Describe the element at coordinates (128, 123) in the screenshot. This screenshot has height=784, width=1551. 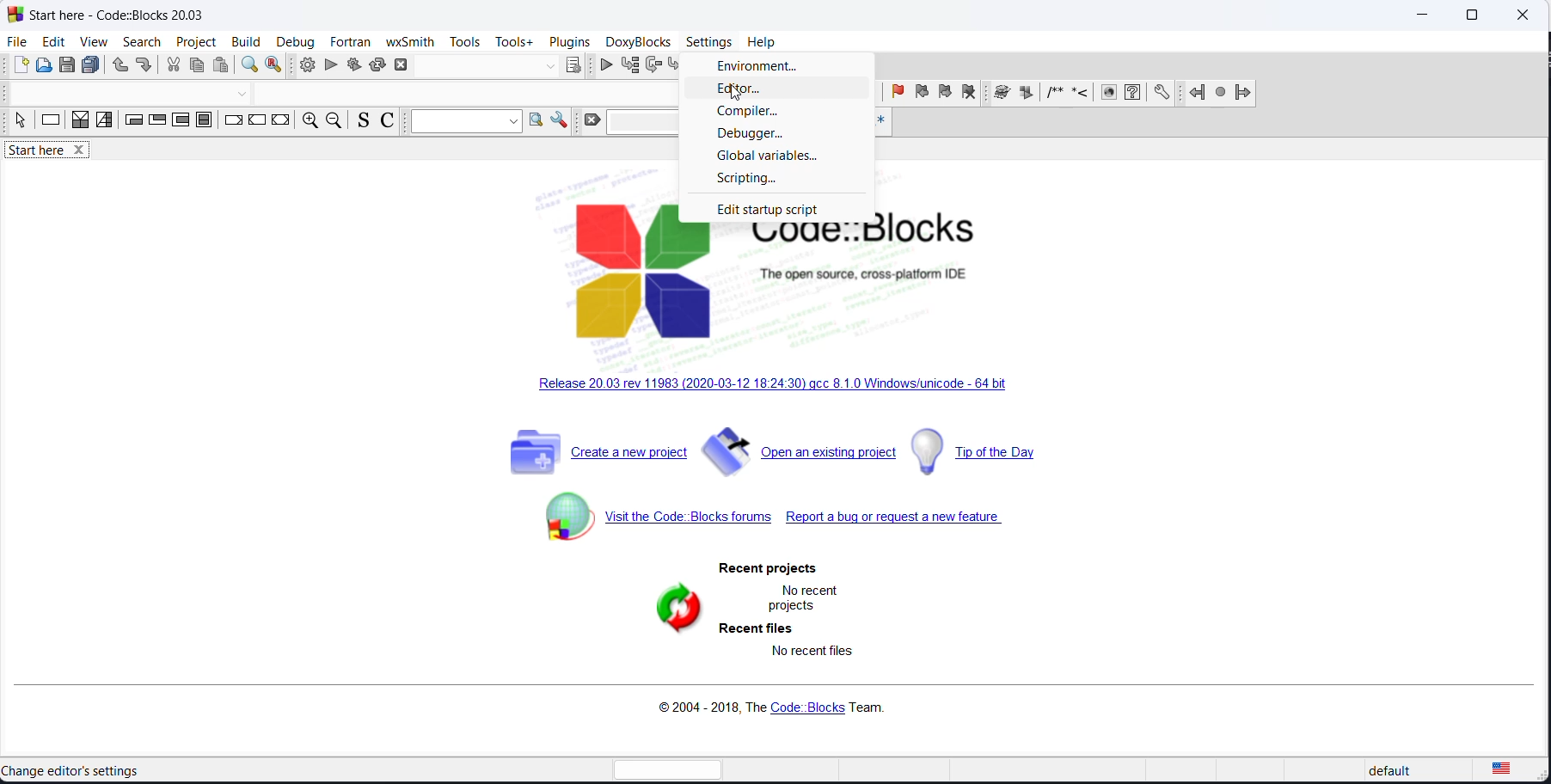
I see `entry condition loop` at that location.